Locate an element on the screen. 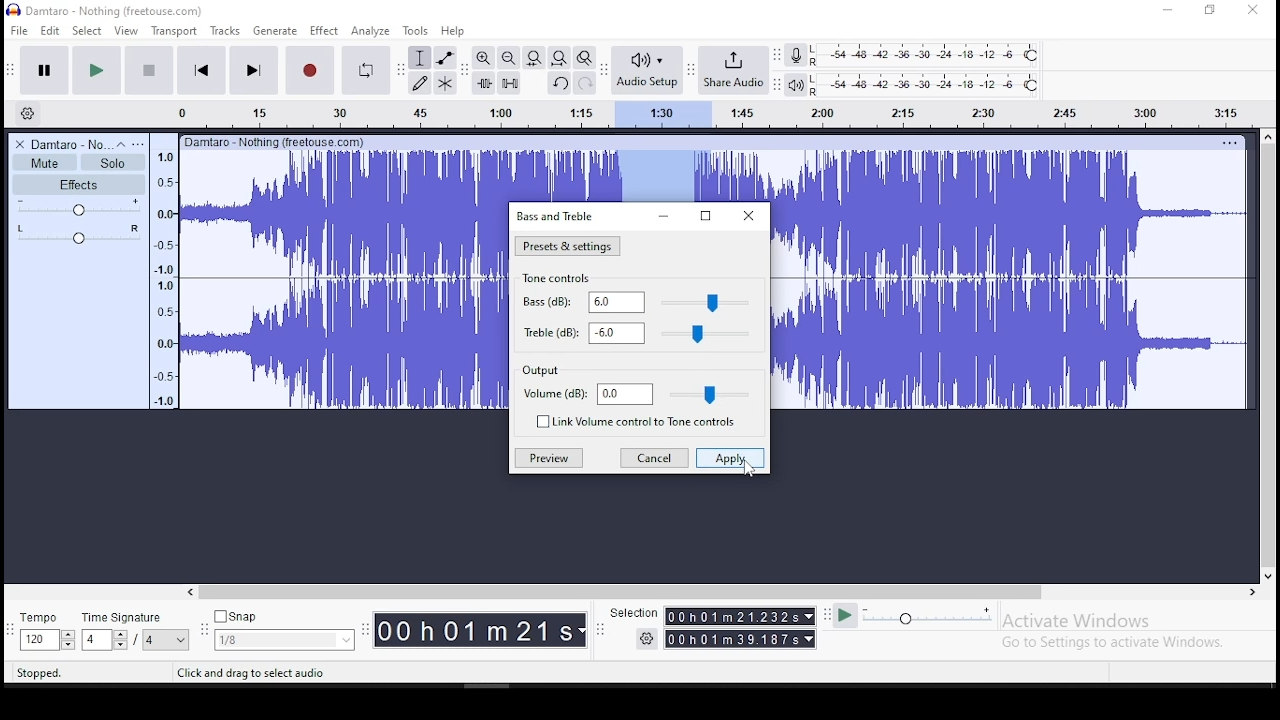 This screenshot has height=720, width=1280. tempo is located at coordinates (44, 619).